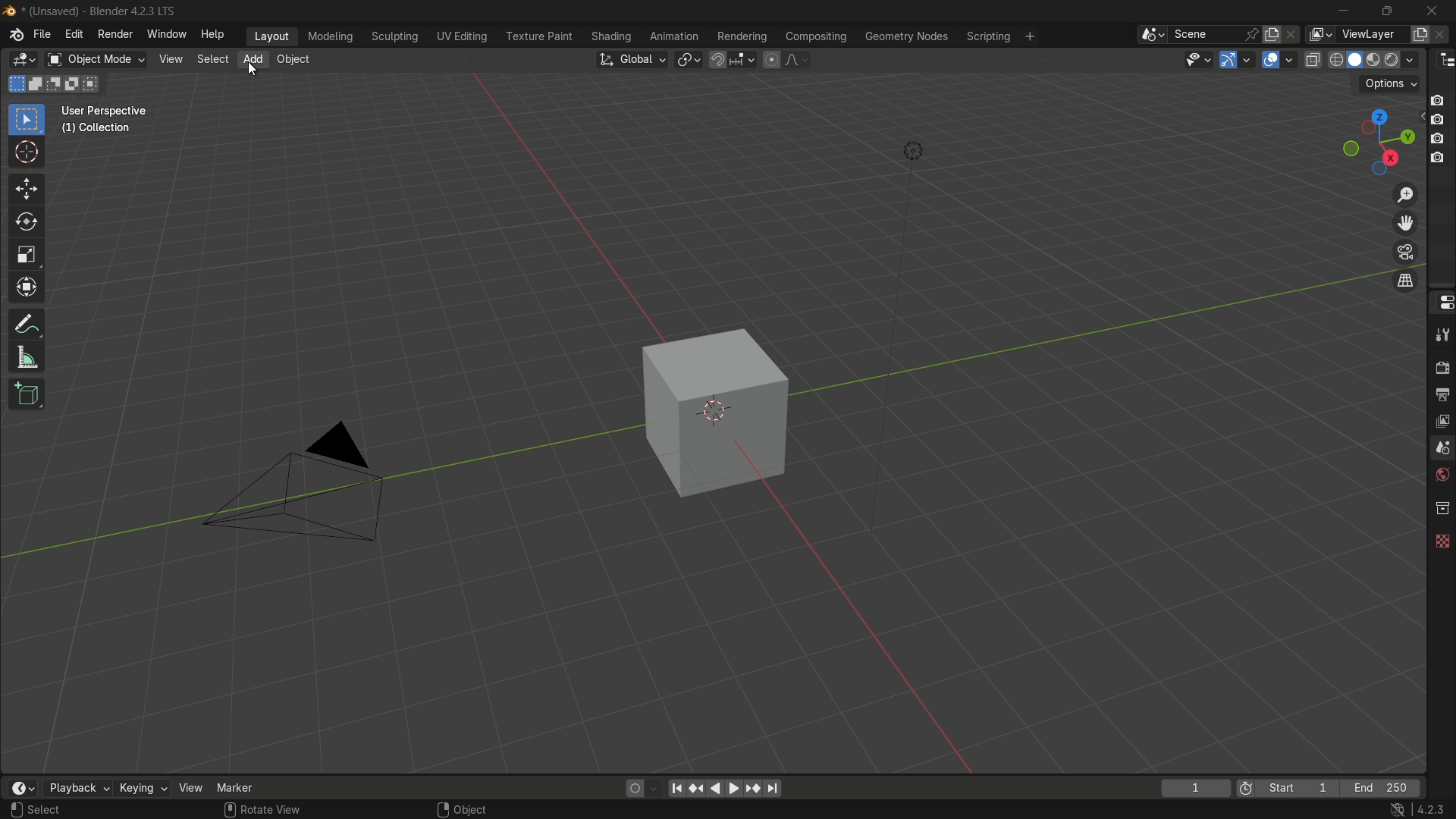 This screenshot has width=1456, height=819. What do you see at coordinates (698, 789) in the screenshot?
I see `reset` at bounding box center [698, 789].